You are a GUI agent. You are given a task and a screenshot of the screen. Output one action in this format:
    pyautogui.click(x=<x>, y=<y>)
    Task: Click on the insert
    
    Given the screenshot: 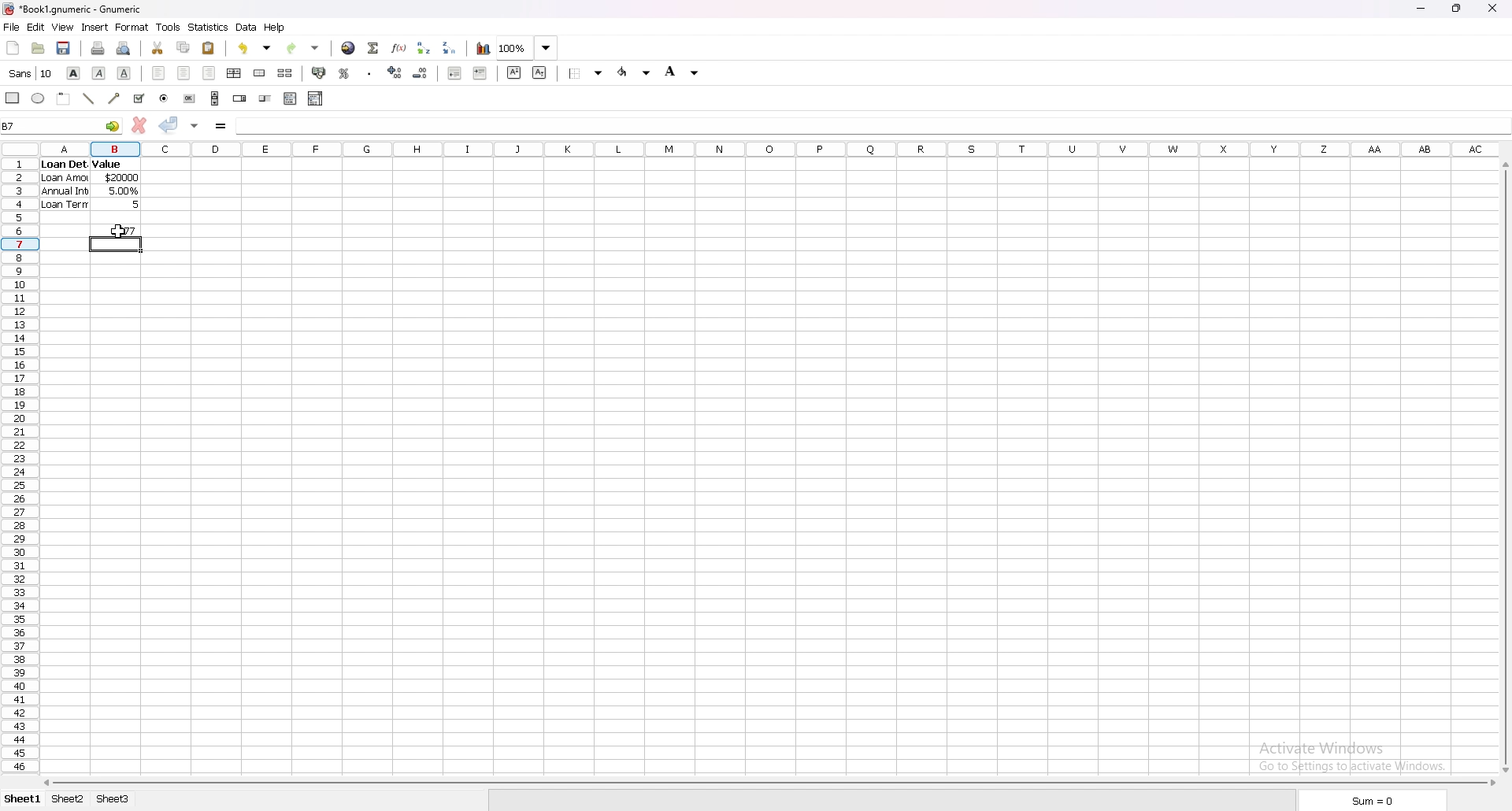 What is the action you would take?
    pyautogui.click(x=95, y=28)
    